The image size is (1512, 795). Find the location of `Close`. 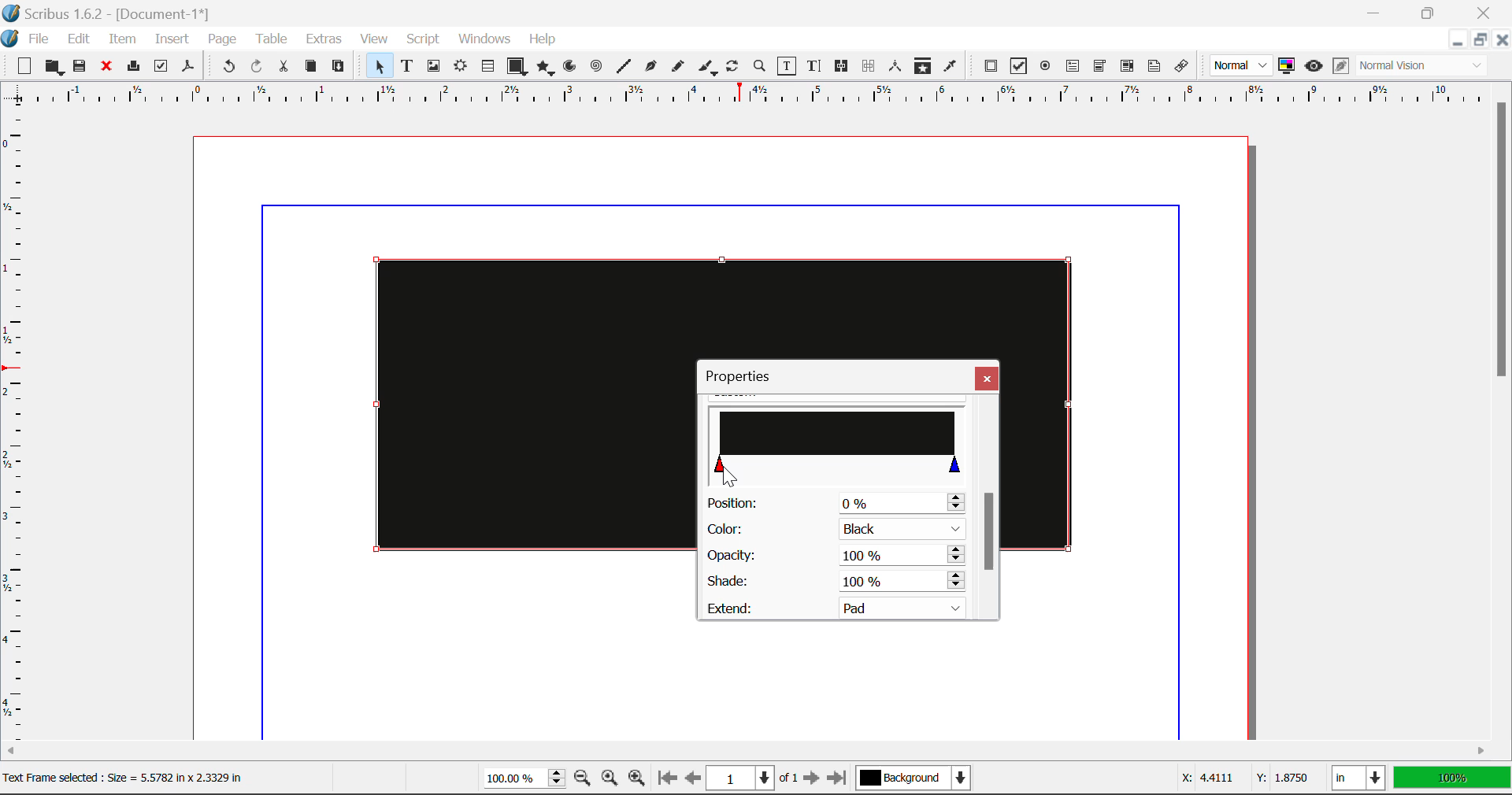

Close is located at coordinates (987, 378).